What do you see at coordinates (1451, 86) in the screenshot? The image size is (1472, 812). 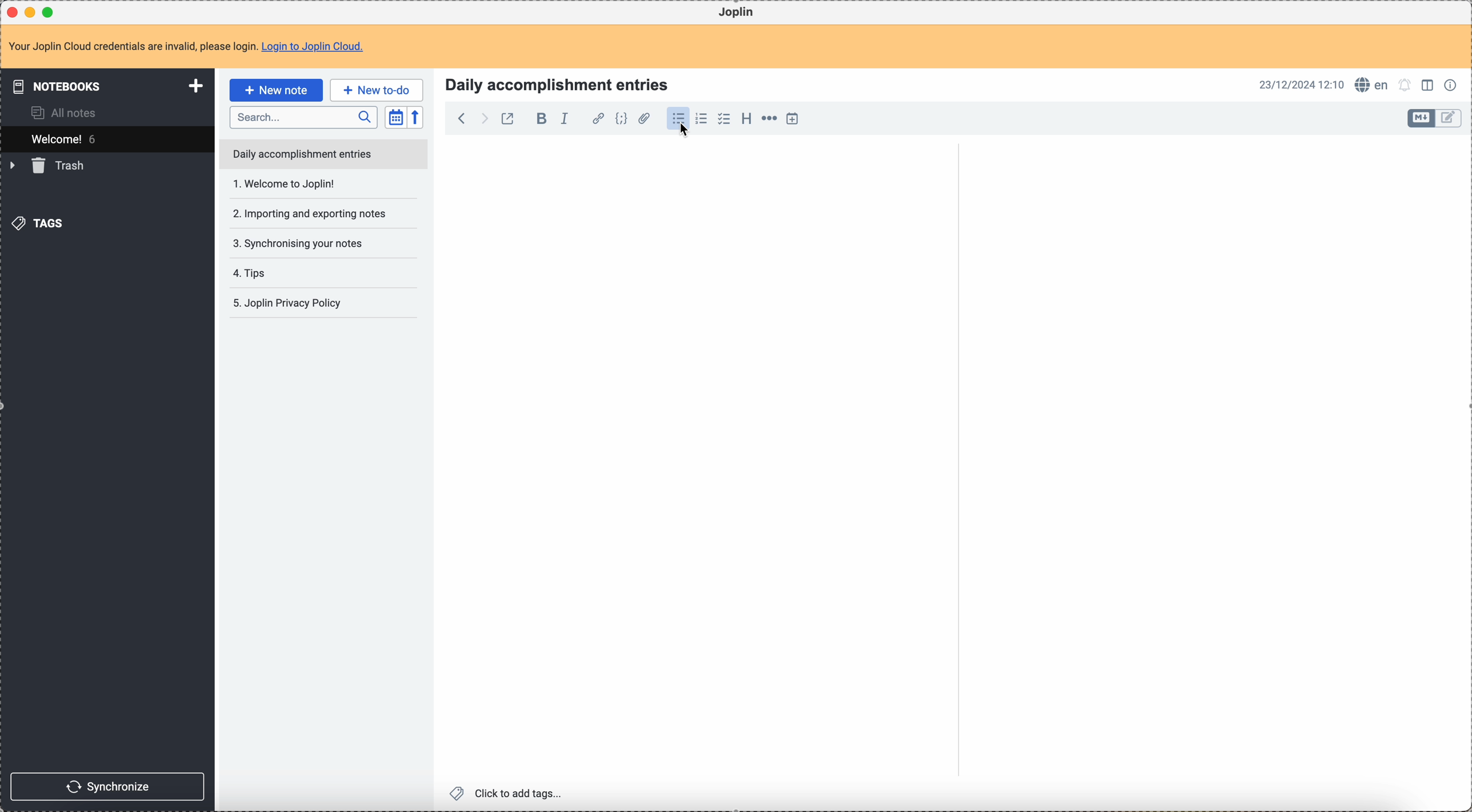 I see `note properties` at bounding box center [1451, 86].